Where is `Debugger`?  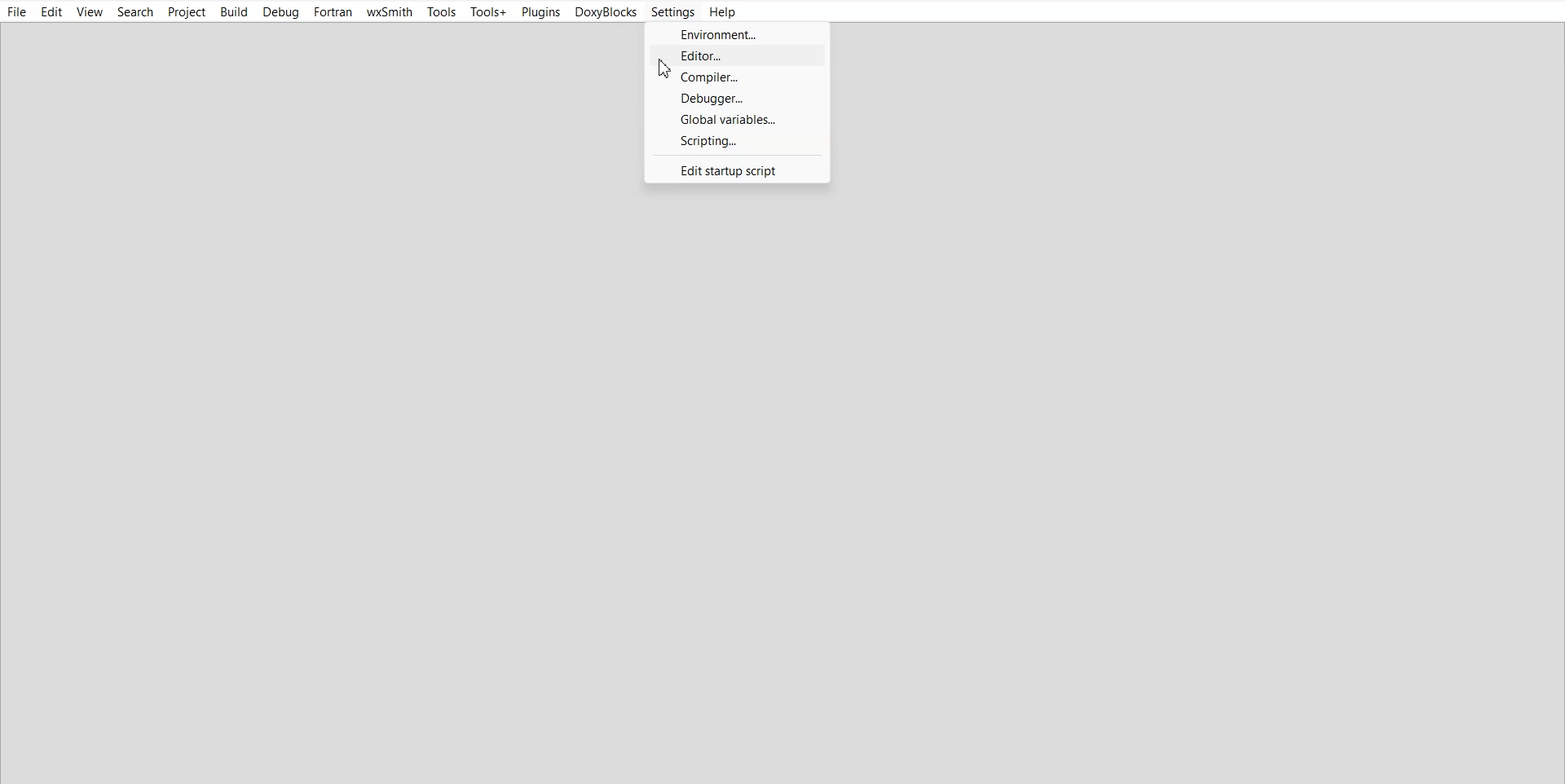
Debugger is located at coordinates (736, 98).